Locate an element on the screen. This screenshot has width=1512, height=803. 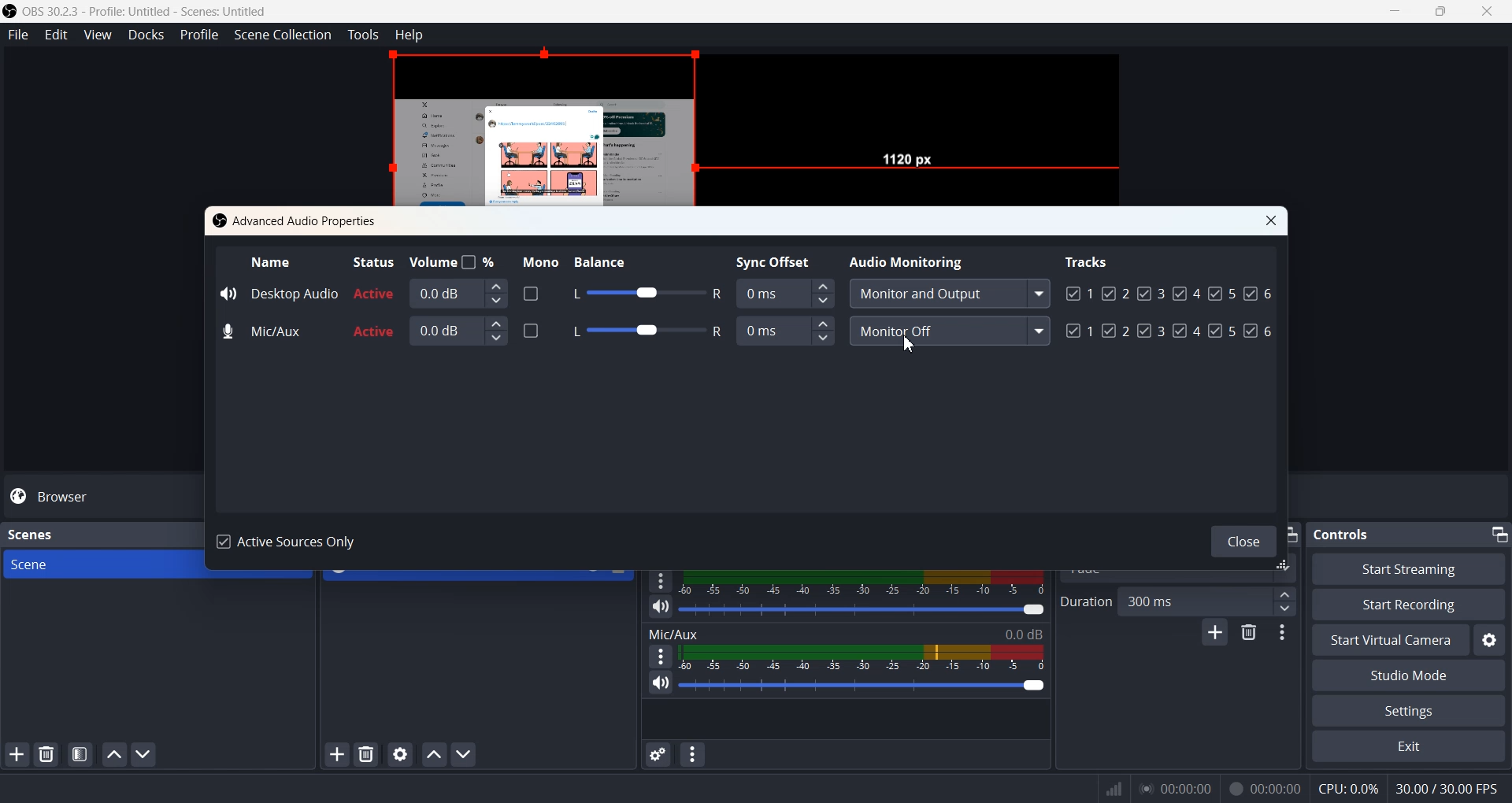
Browser is located at coordinates (101, 496).